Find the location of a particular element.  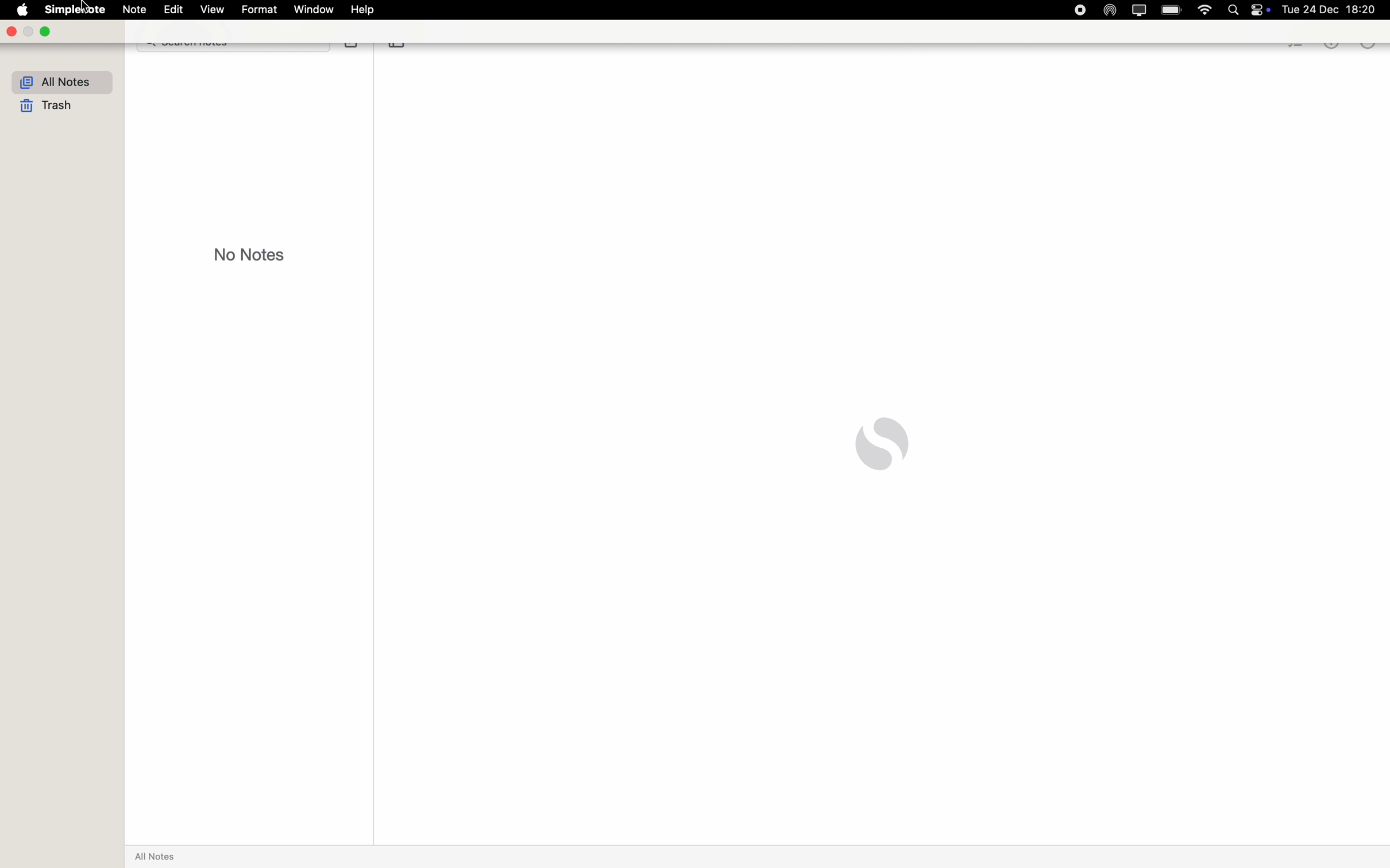

format is located at coordinates (259, 9).